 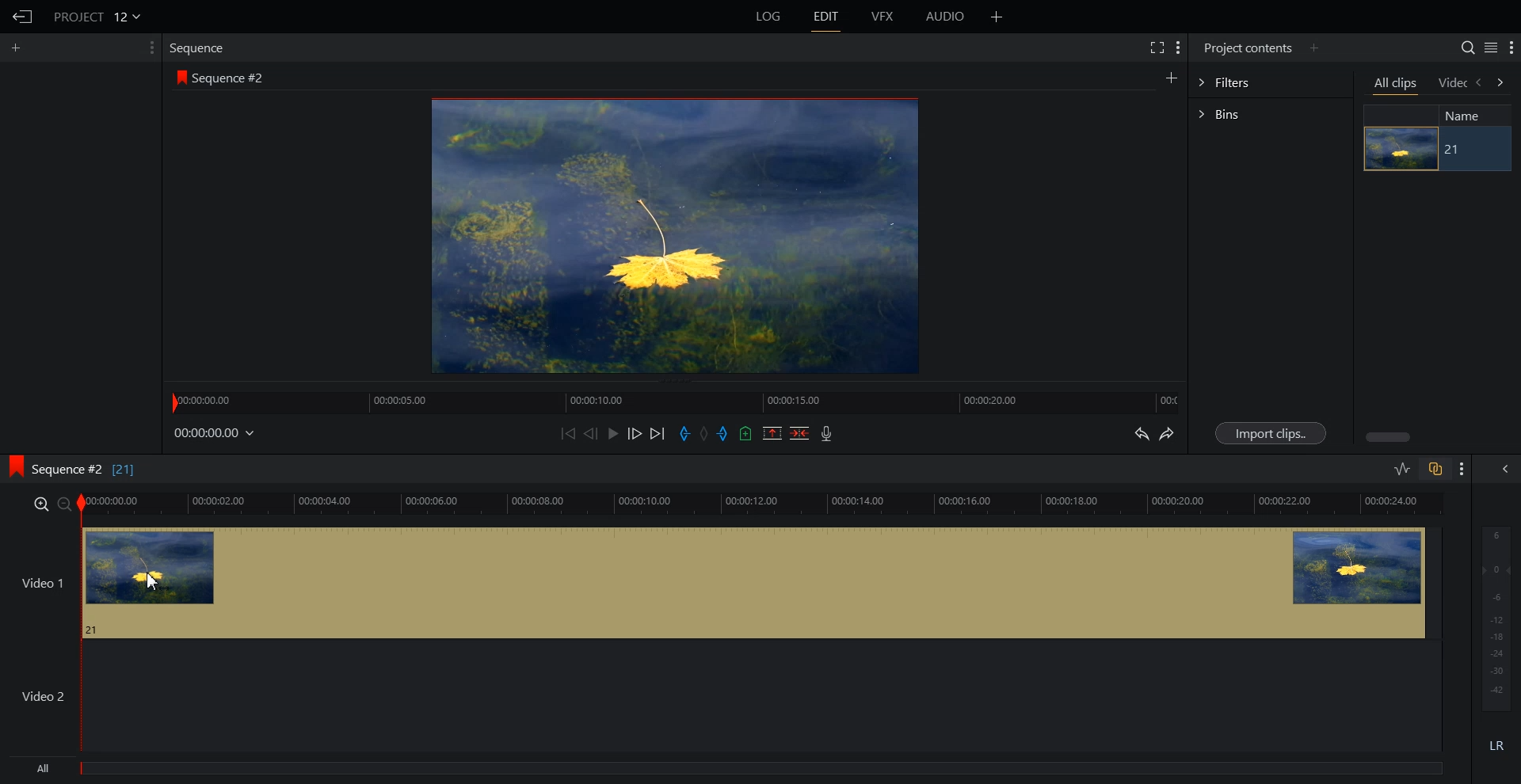 What do you see at coordinates (1403, 468) in the screenshot?
I see `Toggle Audio editing` at bounding box center [1403, 468].